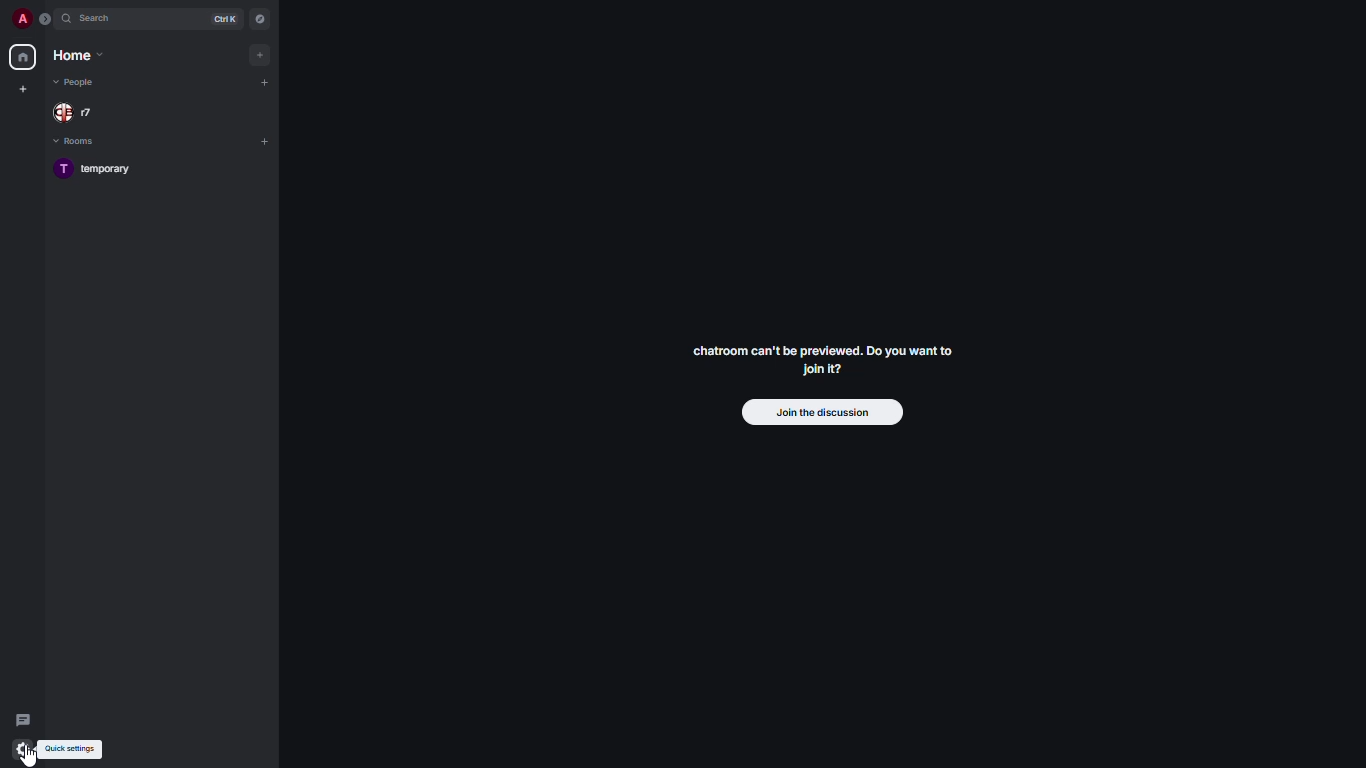  Describe the element at coordinates (22, 748) in the screenshot. I see `quick settings` at that location.